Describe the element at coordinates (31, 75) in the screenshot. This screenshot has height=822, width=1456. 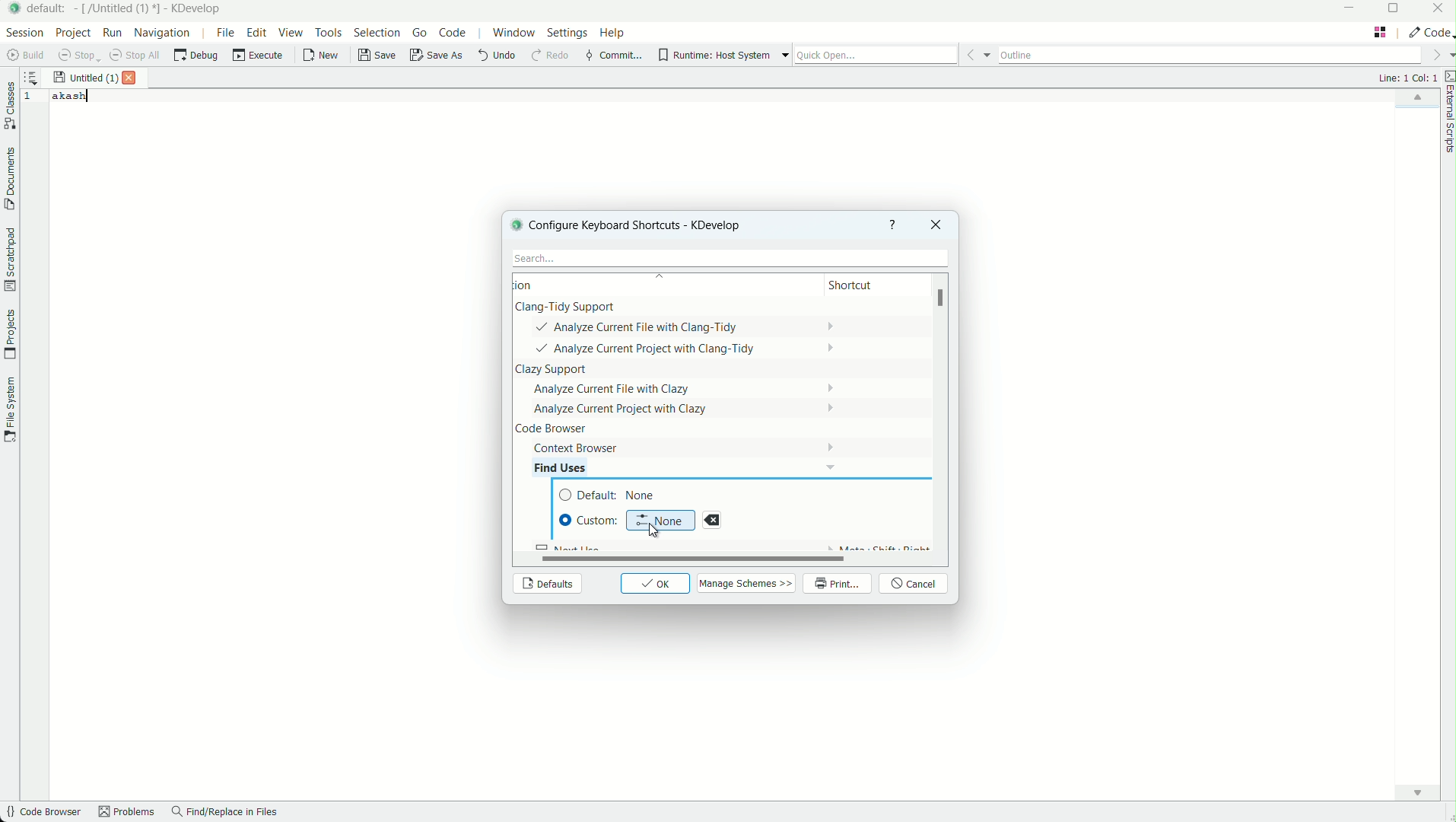
I see `sort the opened documents` at that location.